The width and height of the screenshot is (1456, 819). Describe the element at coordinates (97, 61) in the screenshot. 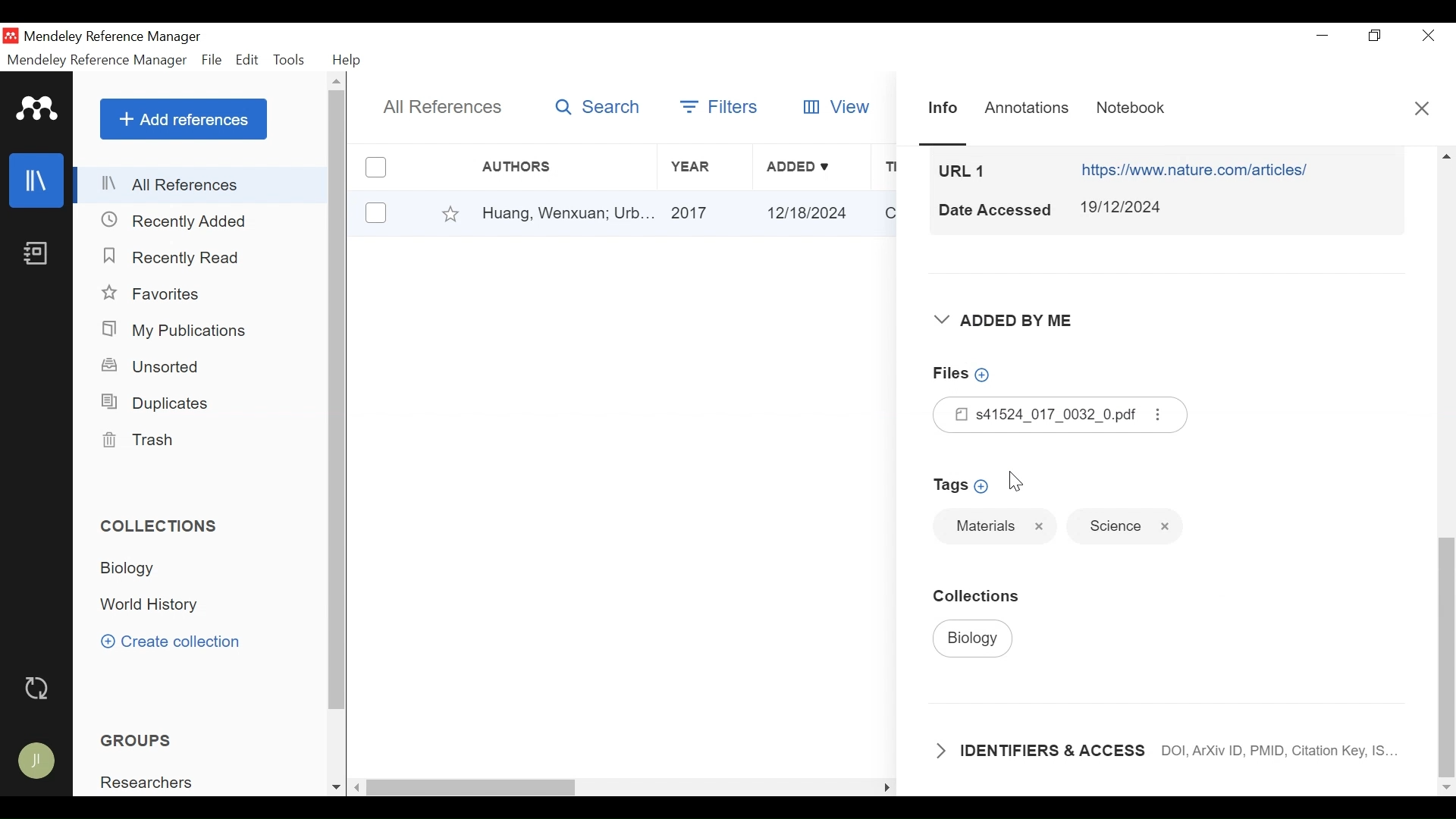

I see `Mendeley Reference Manager` at that location.